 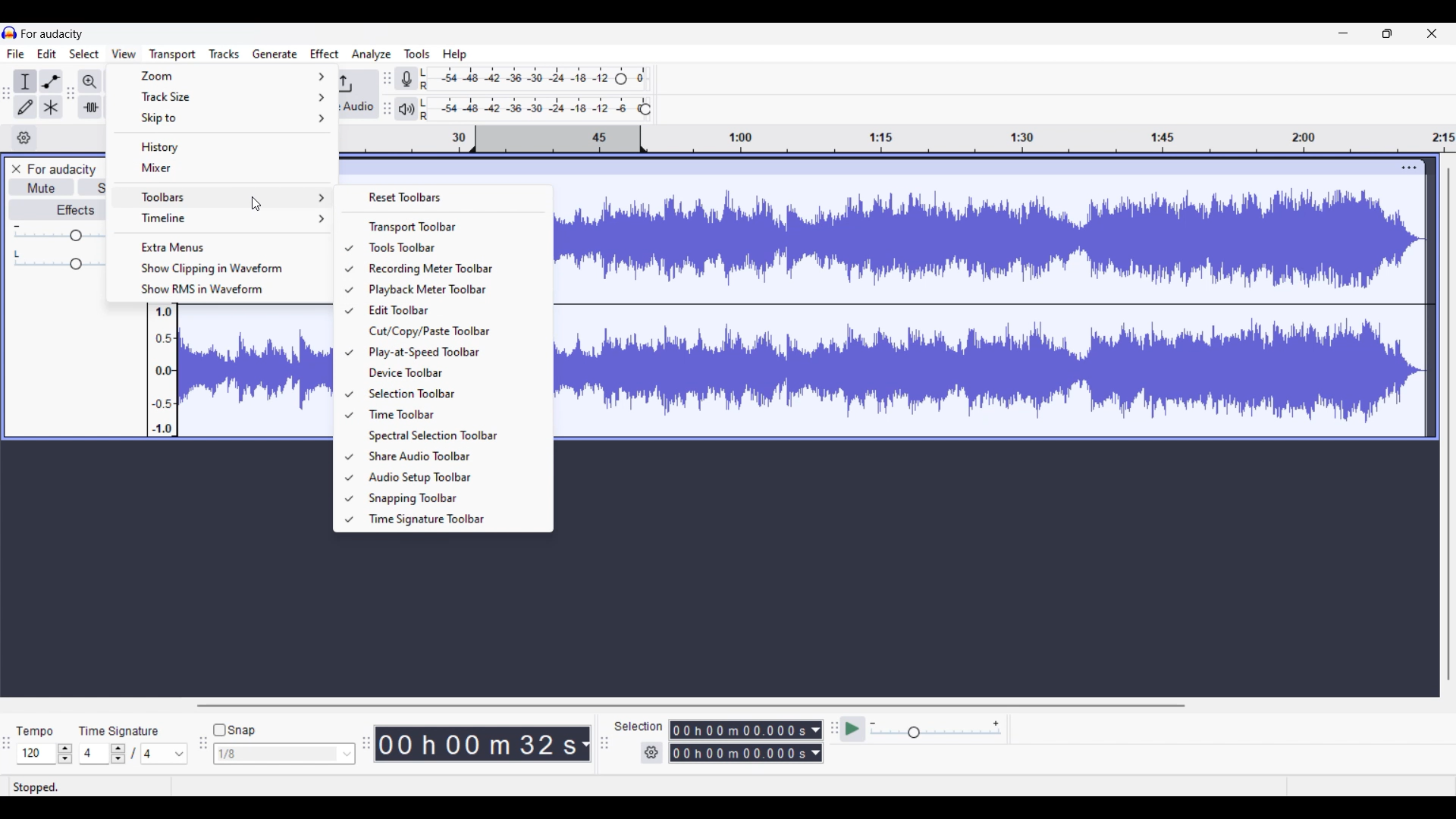 What do you see at coordinates (58, 232) in the screenshot?
I see `Volume scale` at bounding box center [58, 232].